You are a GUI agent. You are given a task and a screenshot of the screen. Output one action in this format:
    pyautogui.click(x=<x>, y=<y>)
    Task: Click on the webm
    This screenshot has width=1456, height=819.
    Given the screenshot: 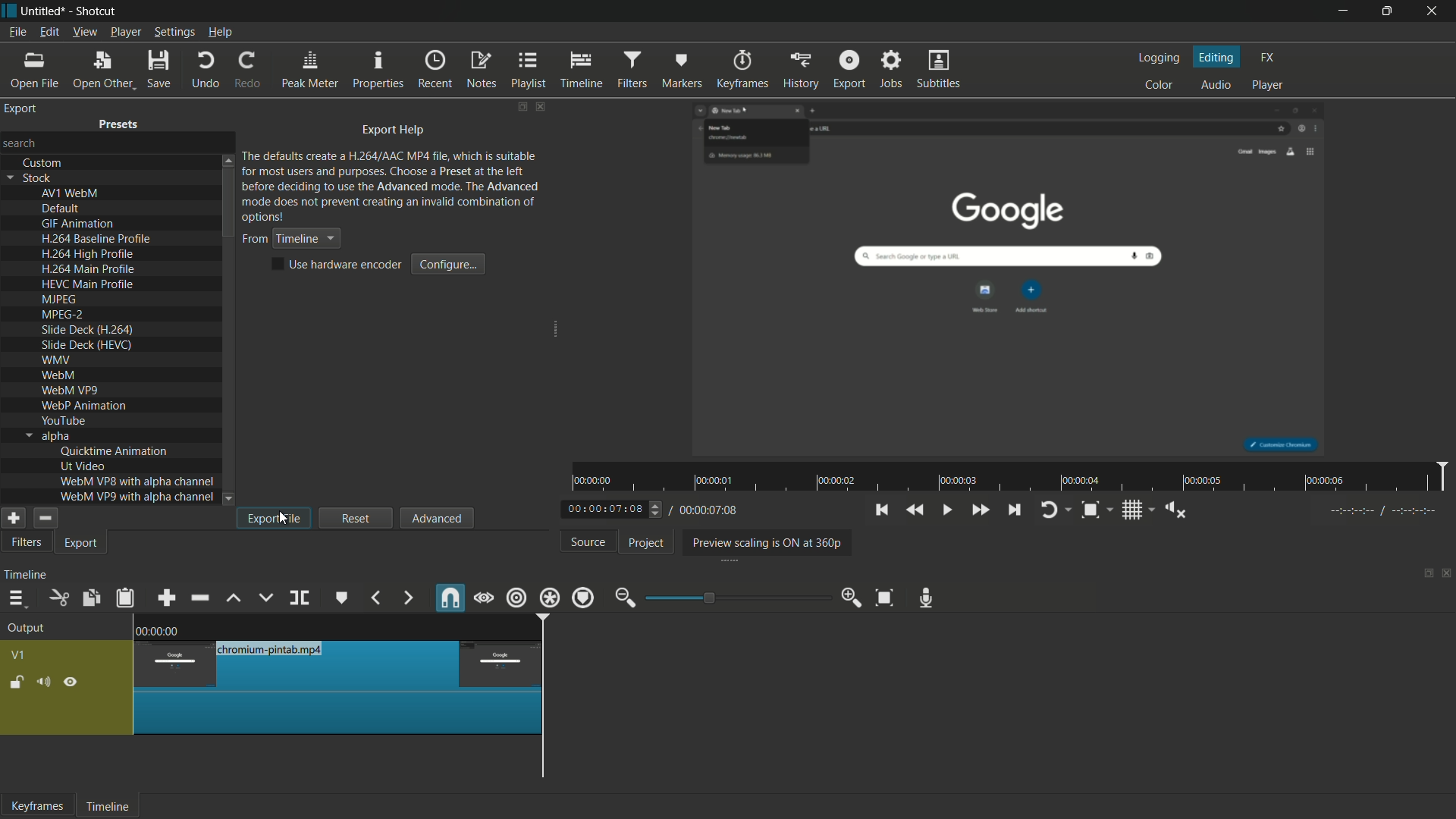 What is the action you would take?
    pyautogui.click(x=58, y=376)
    